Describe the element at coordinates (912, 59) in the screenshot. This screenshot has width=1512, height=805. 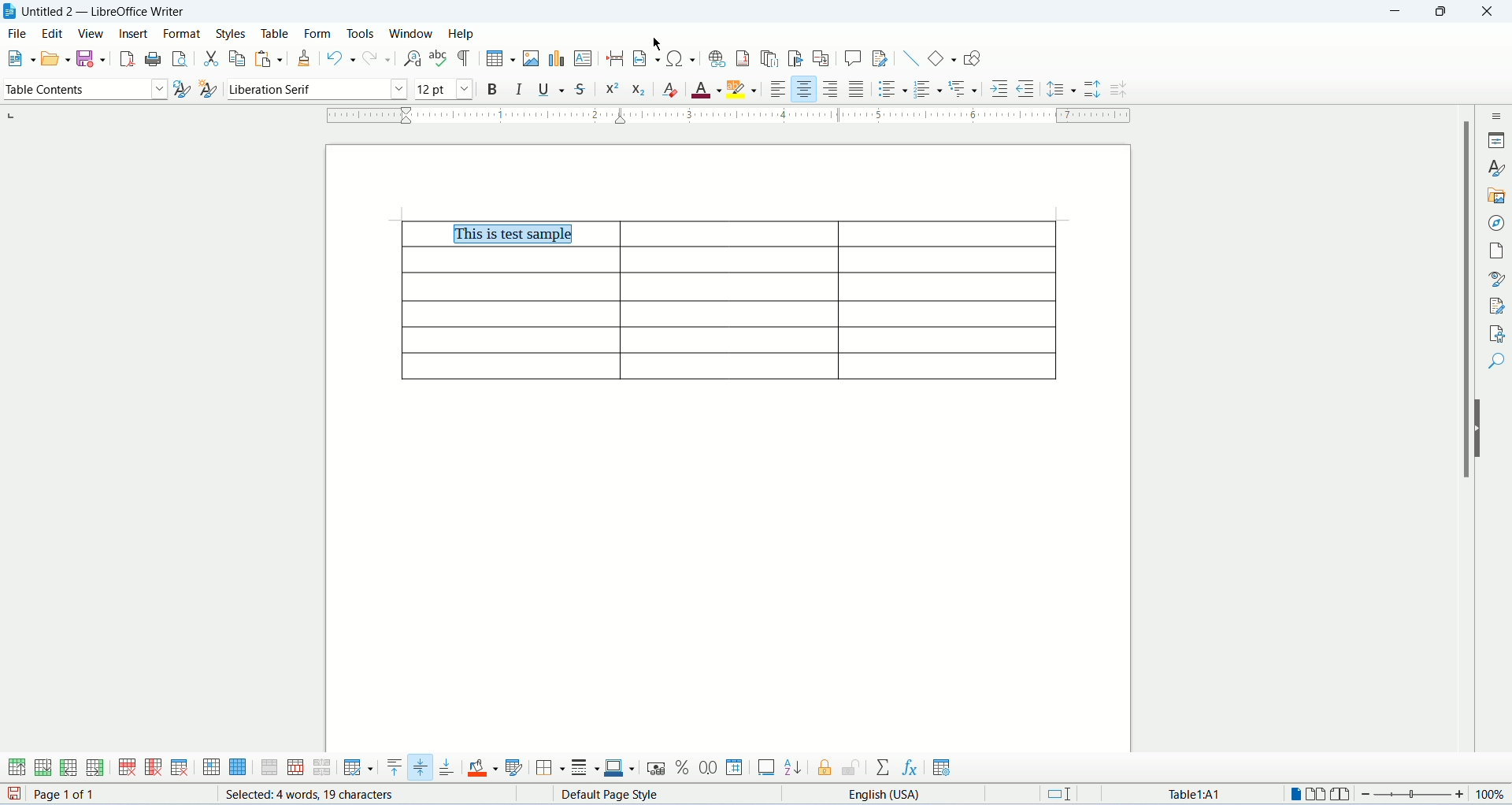
I see `insert line` at that location.